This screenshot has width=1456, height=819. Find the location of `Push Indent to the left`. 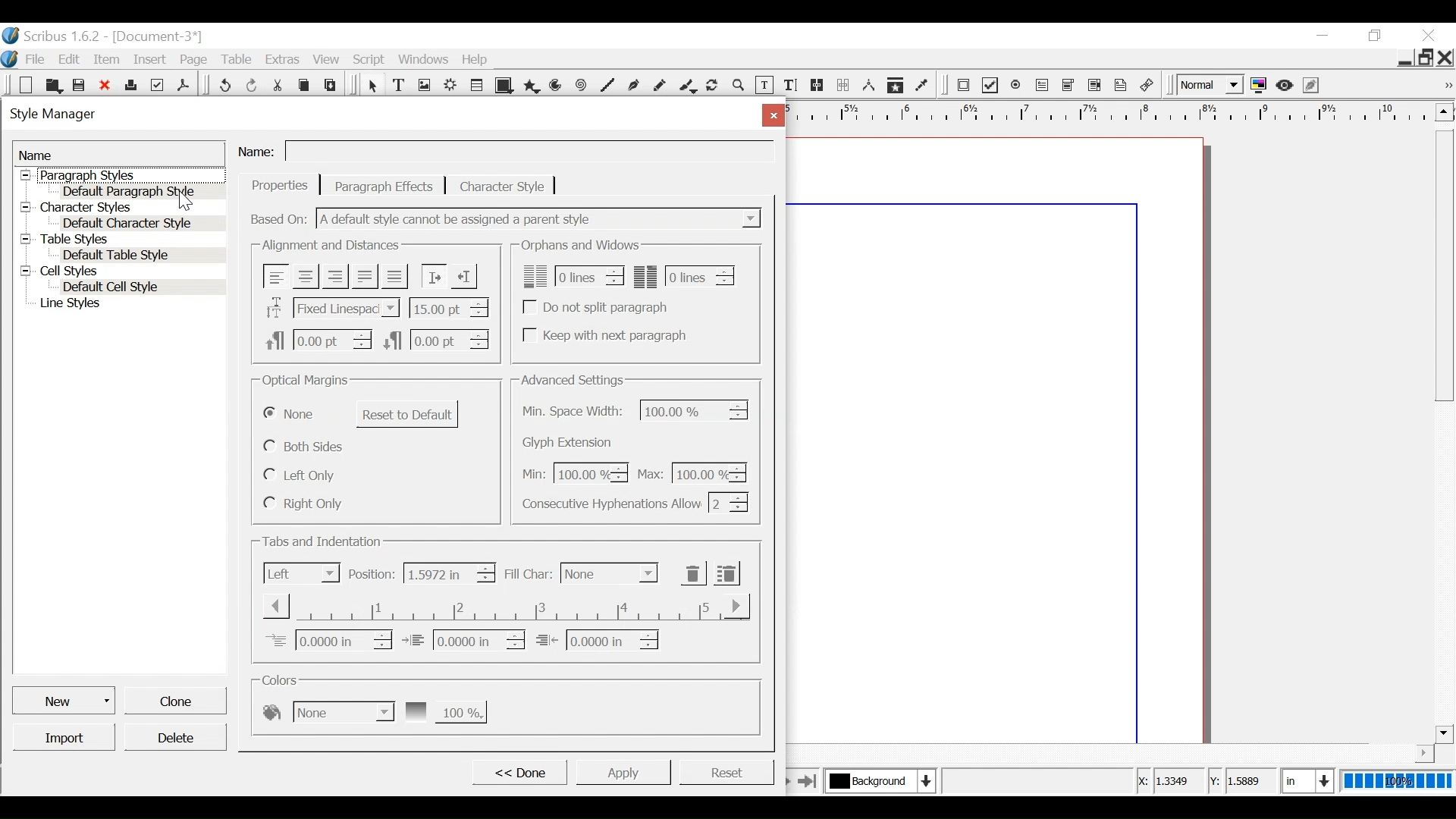

Push Indent to the left is located at coordinates (463, 275).